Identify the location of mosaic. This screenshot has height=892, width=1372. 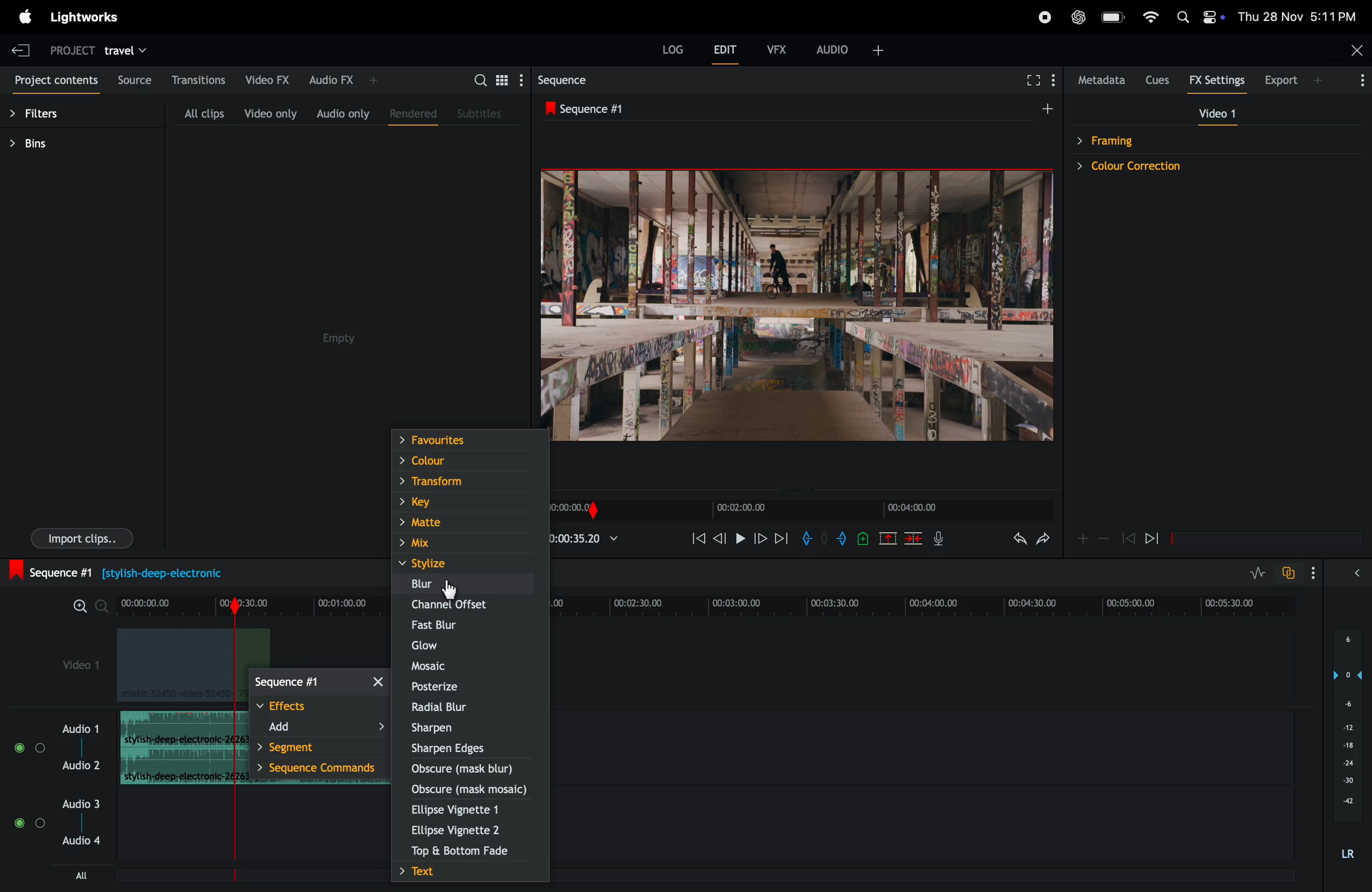
(471, 668).